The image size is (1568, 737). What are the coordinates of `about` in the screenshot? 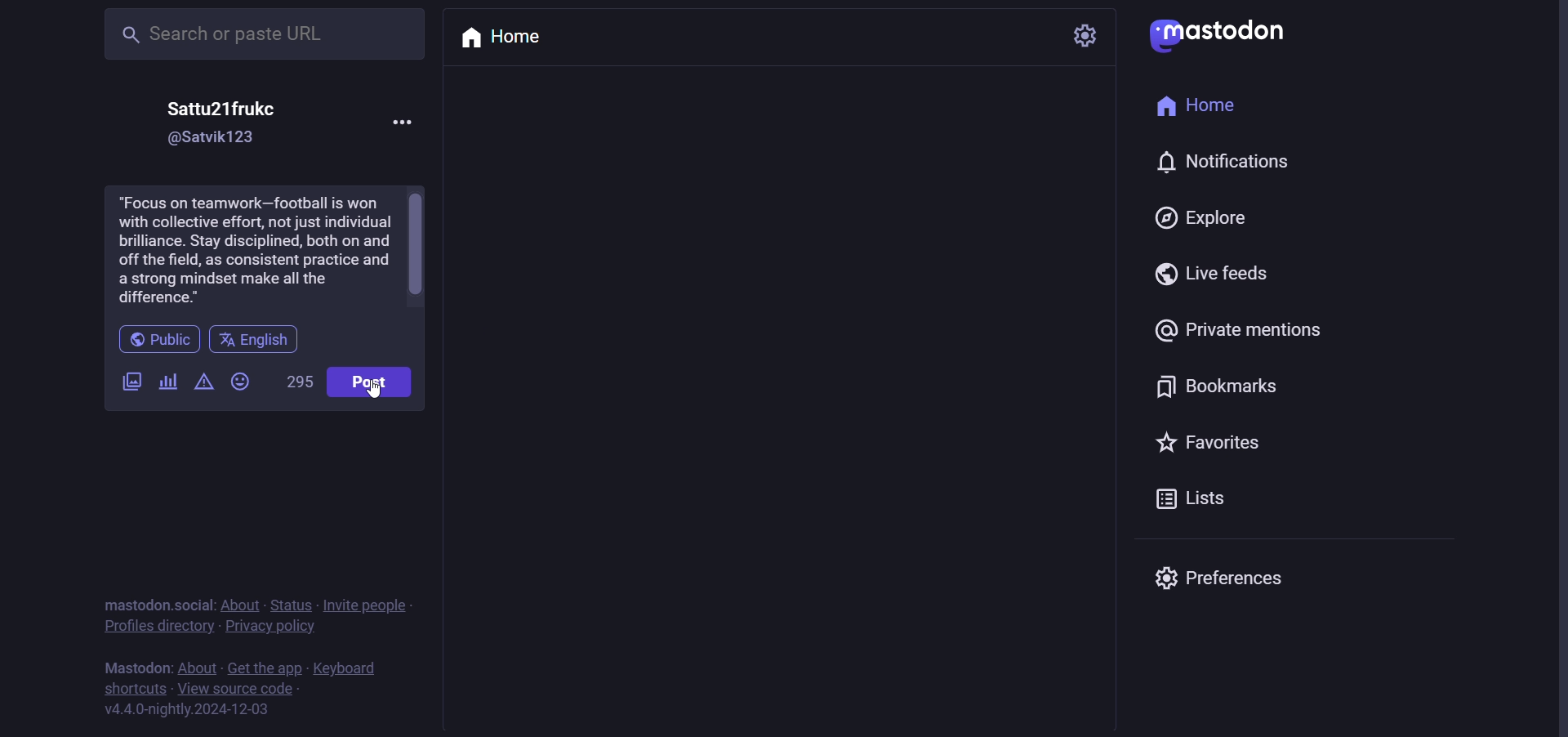 It's located at (196, 666).